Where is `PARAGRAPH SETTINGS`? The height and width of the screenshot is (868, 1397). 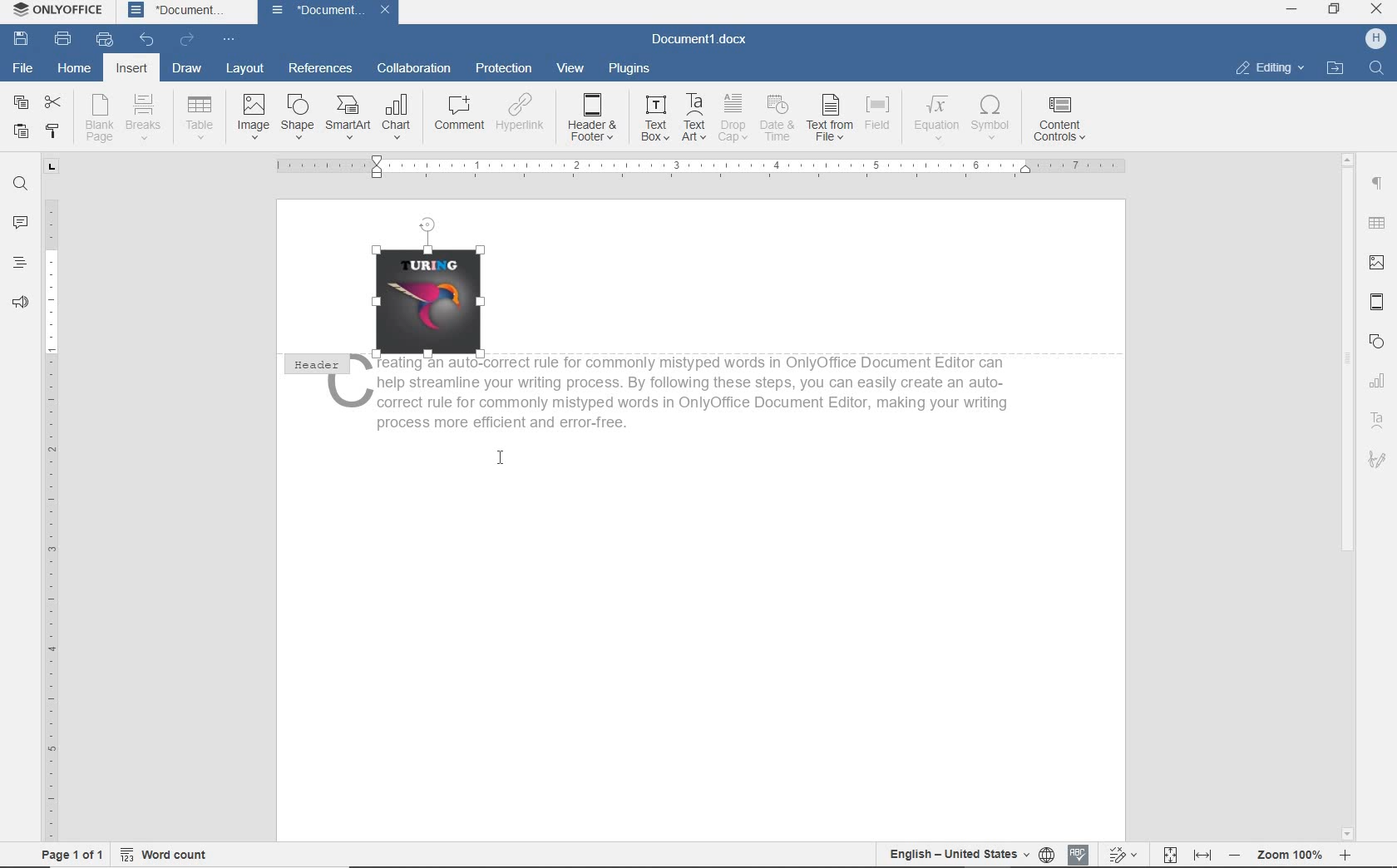
PARAGRAPH SETTINGS is located at coordinates (1376, 184).